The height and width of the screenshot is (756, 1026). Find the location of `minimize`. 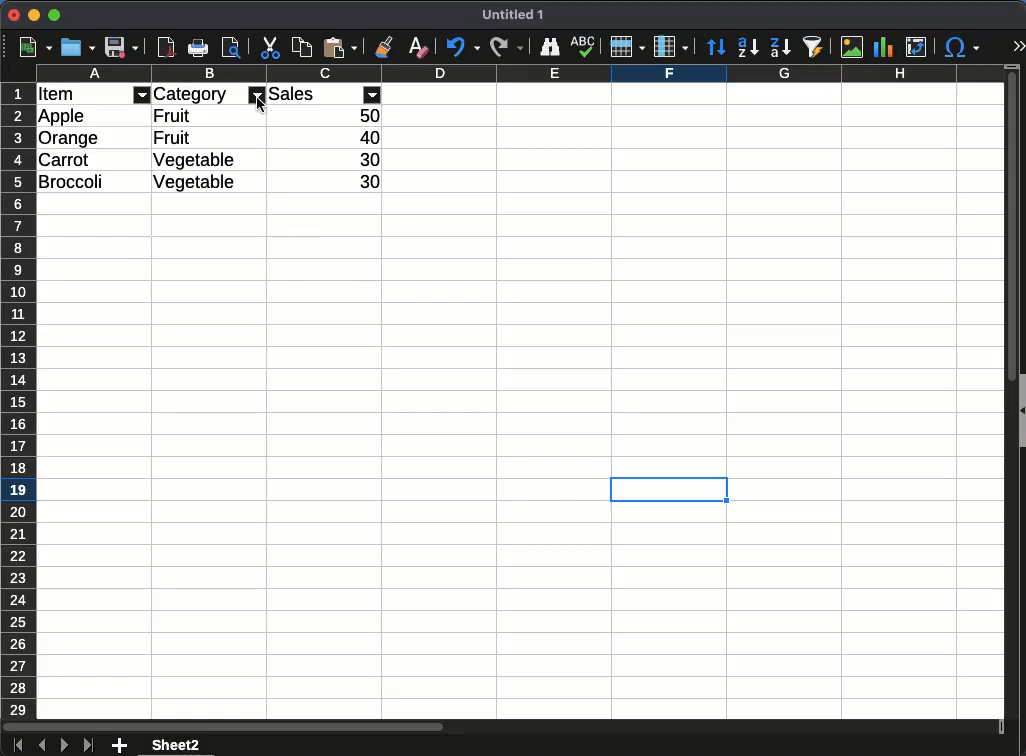

minimize is located at coordinates (34, 15).